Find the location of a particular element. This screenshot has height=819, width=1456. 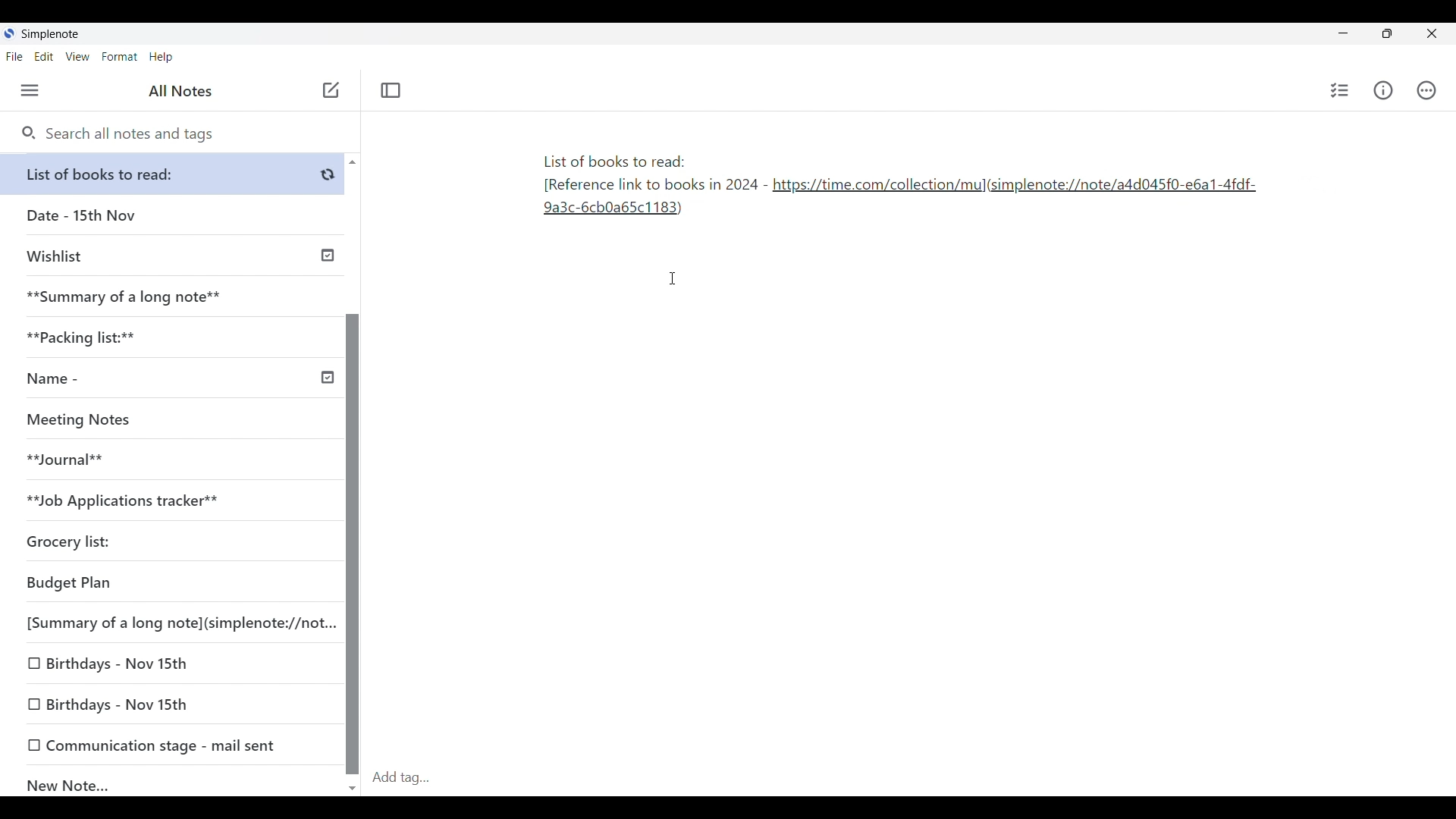

Info is located at coordinates (1383, 90).